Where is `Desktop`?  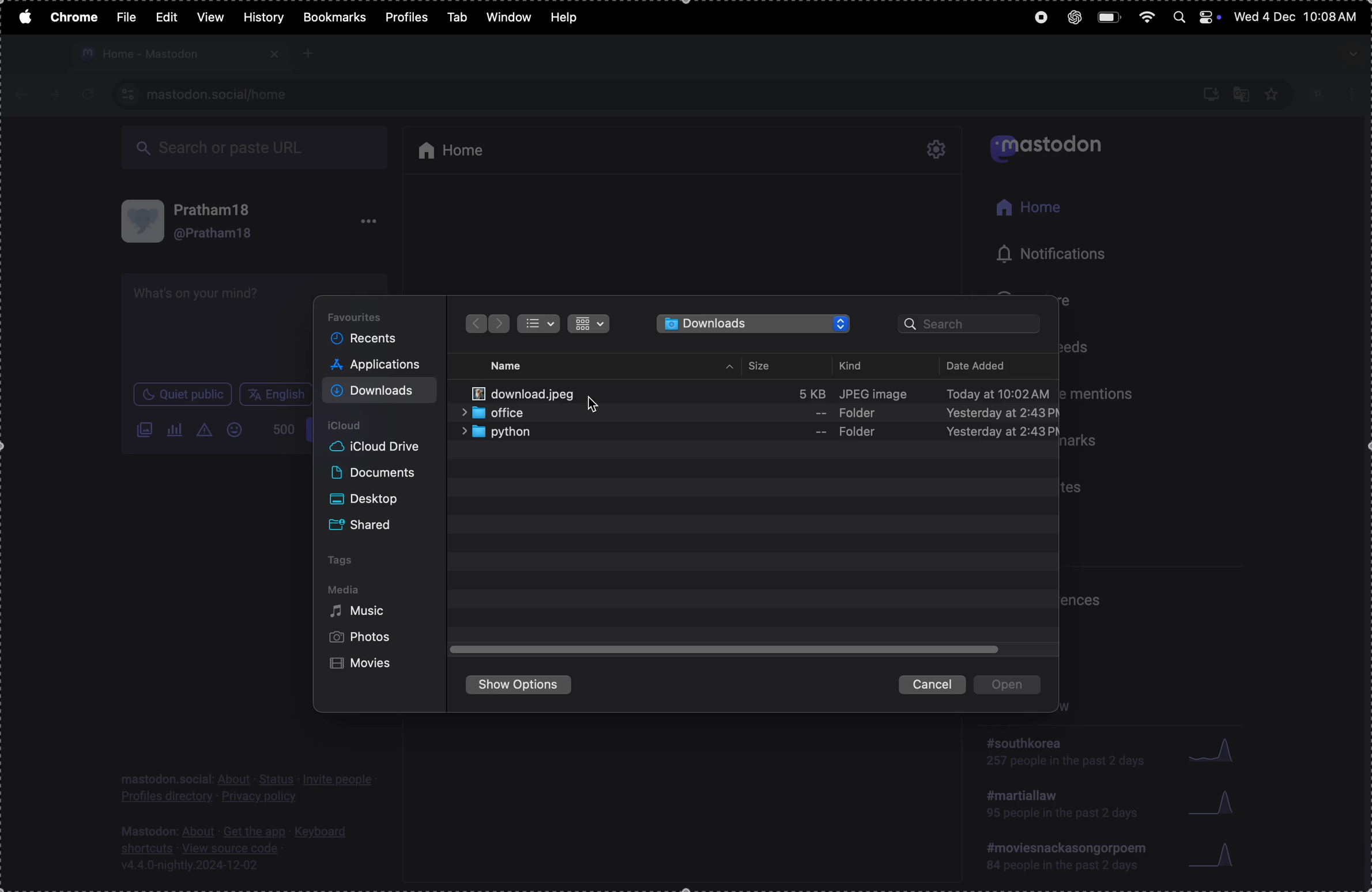
Desktop is located at coordinates (371, 497).